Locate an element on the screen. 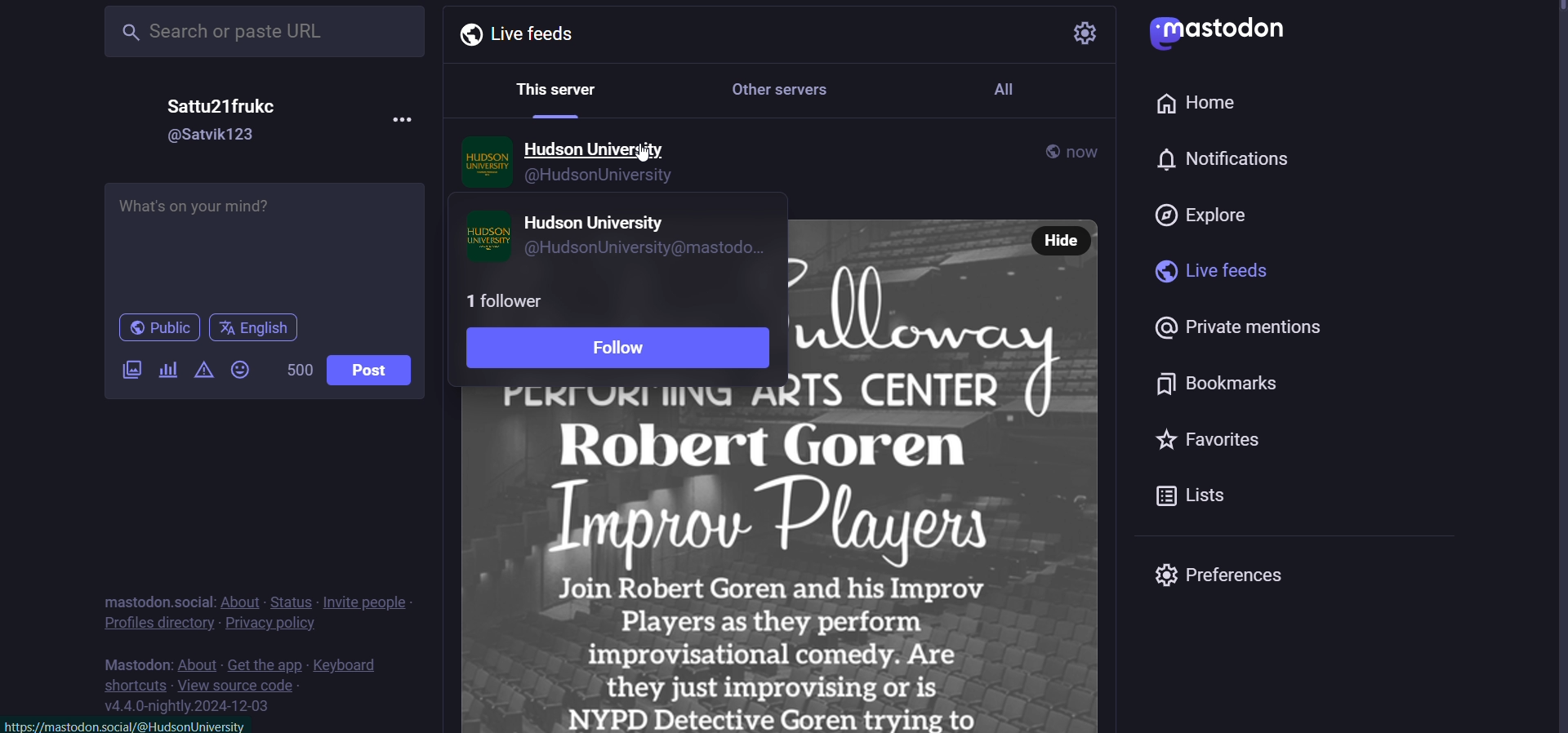  explore is located at coordinates (1204, 218).